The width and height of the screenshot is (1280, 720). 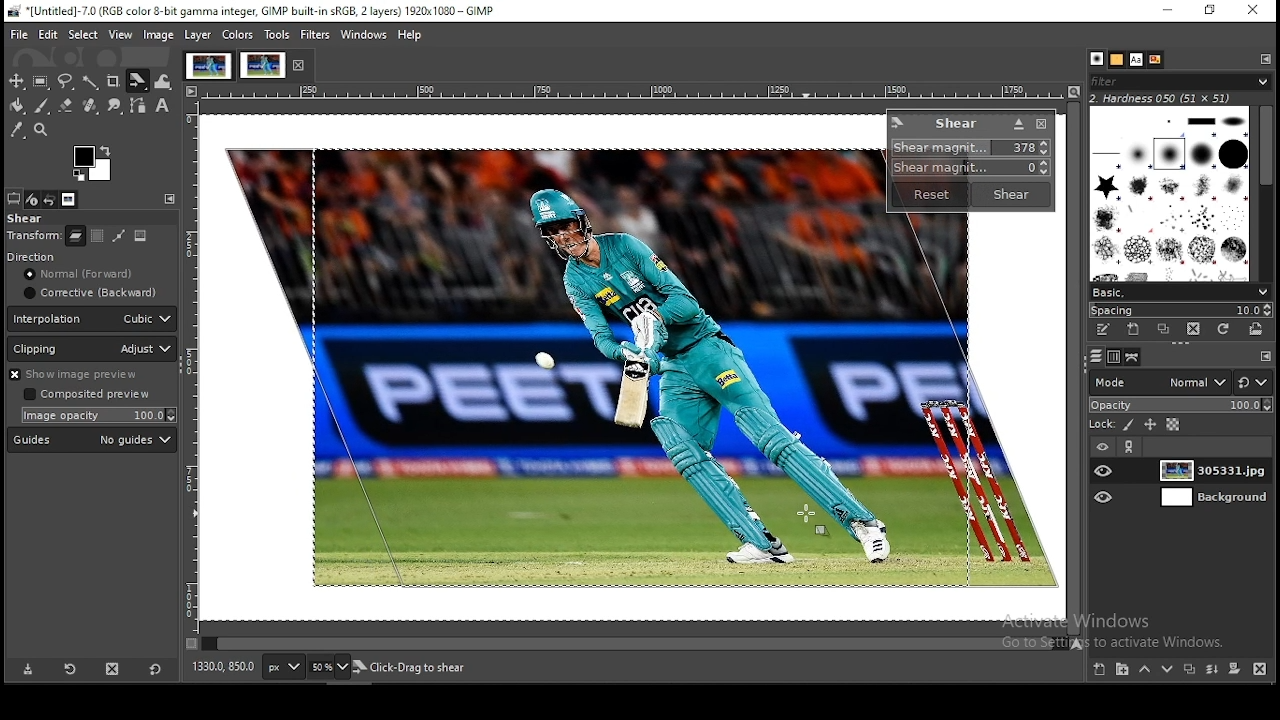 What do you see at coordinates (113, 105) in the screenshot?
I see `smudge tools` at bounding box center [113, 105].